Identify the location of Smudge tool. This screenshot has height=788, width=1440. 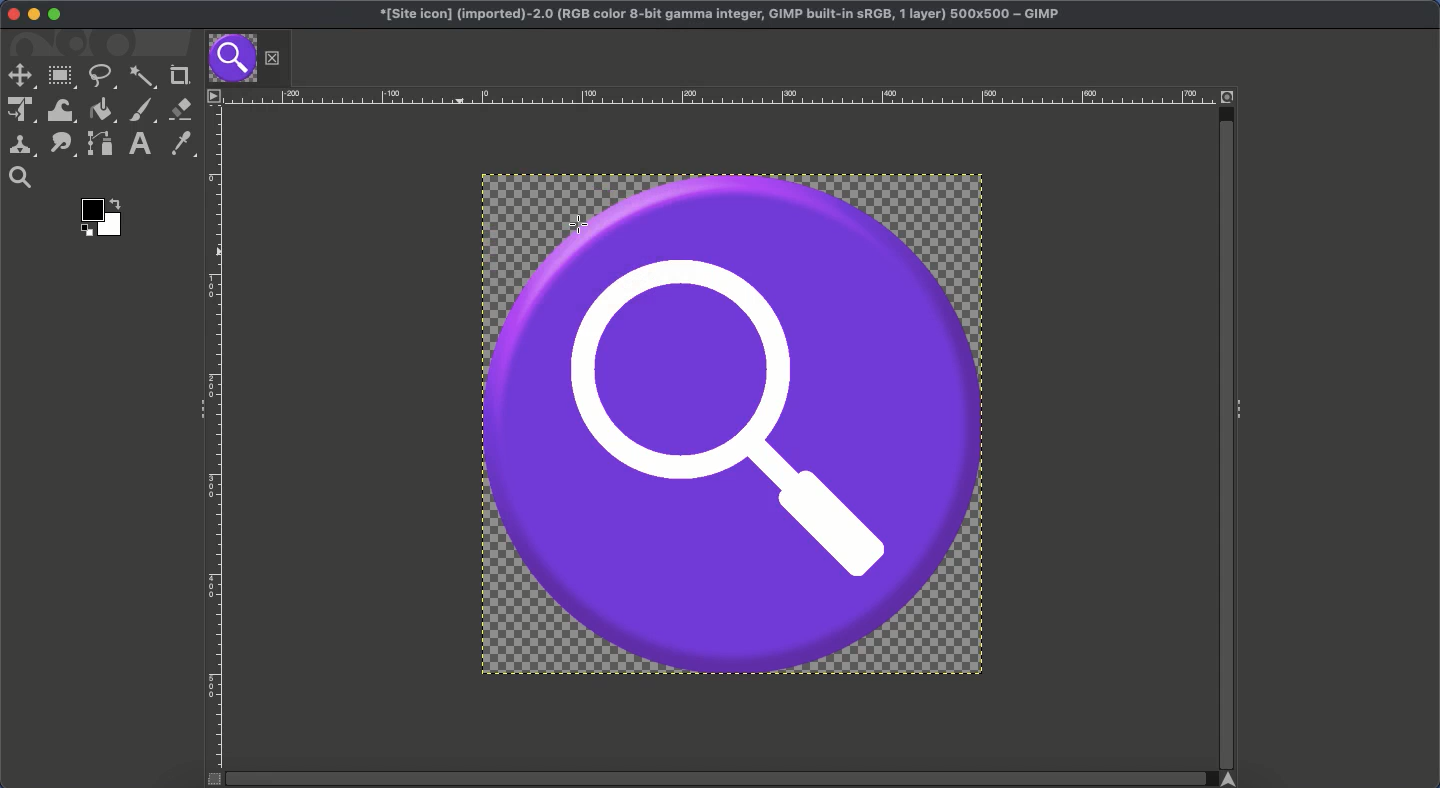
(61, 145).